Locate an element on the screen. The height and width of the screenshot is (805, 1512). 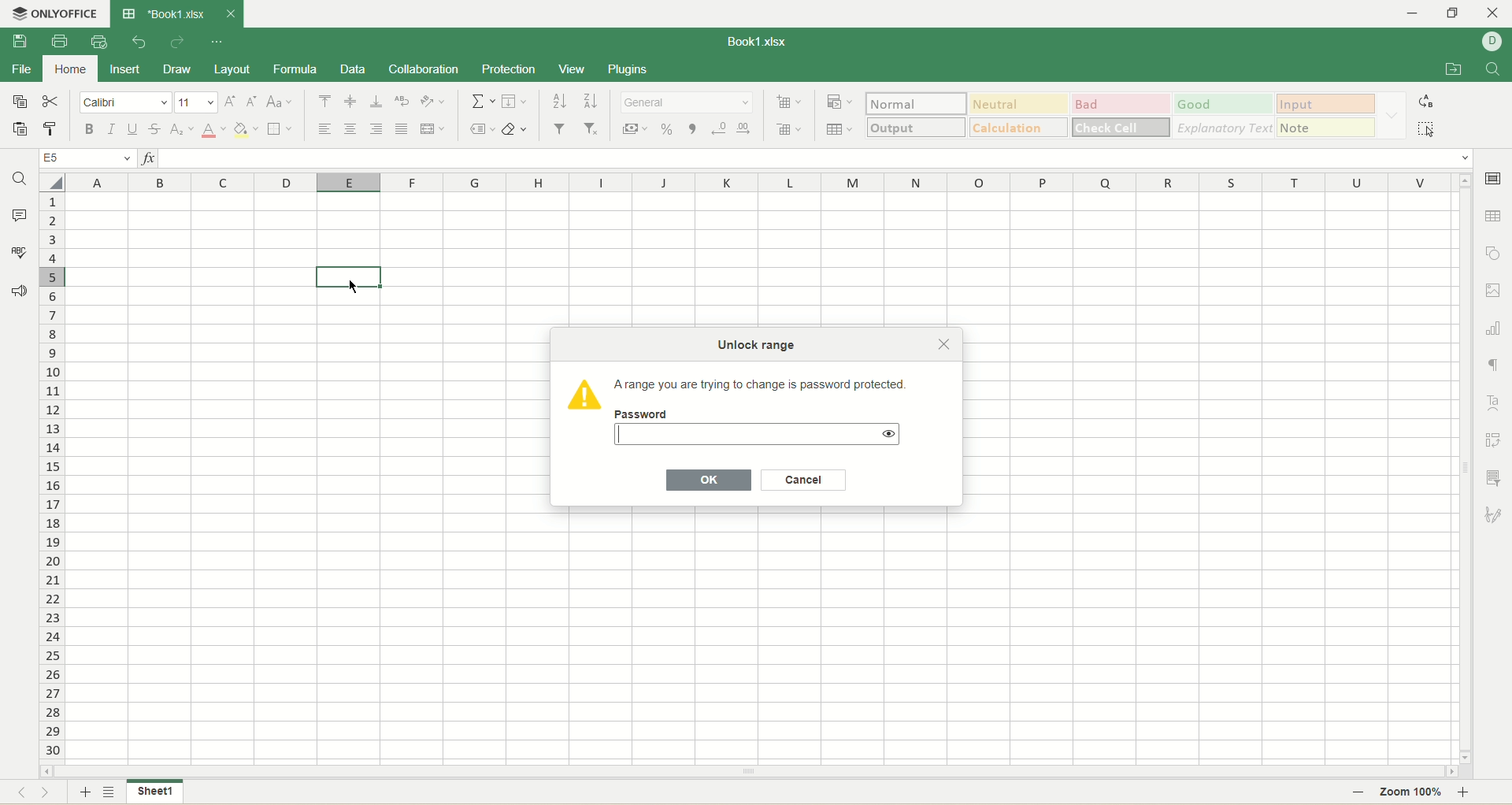
input line is located at coordinates (817, 158).